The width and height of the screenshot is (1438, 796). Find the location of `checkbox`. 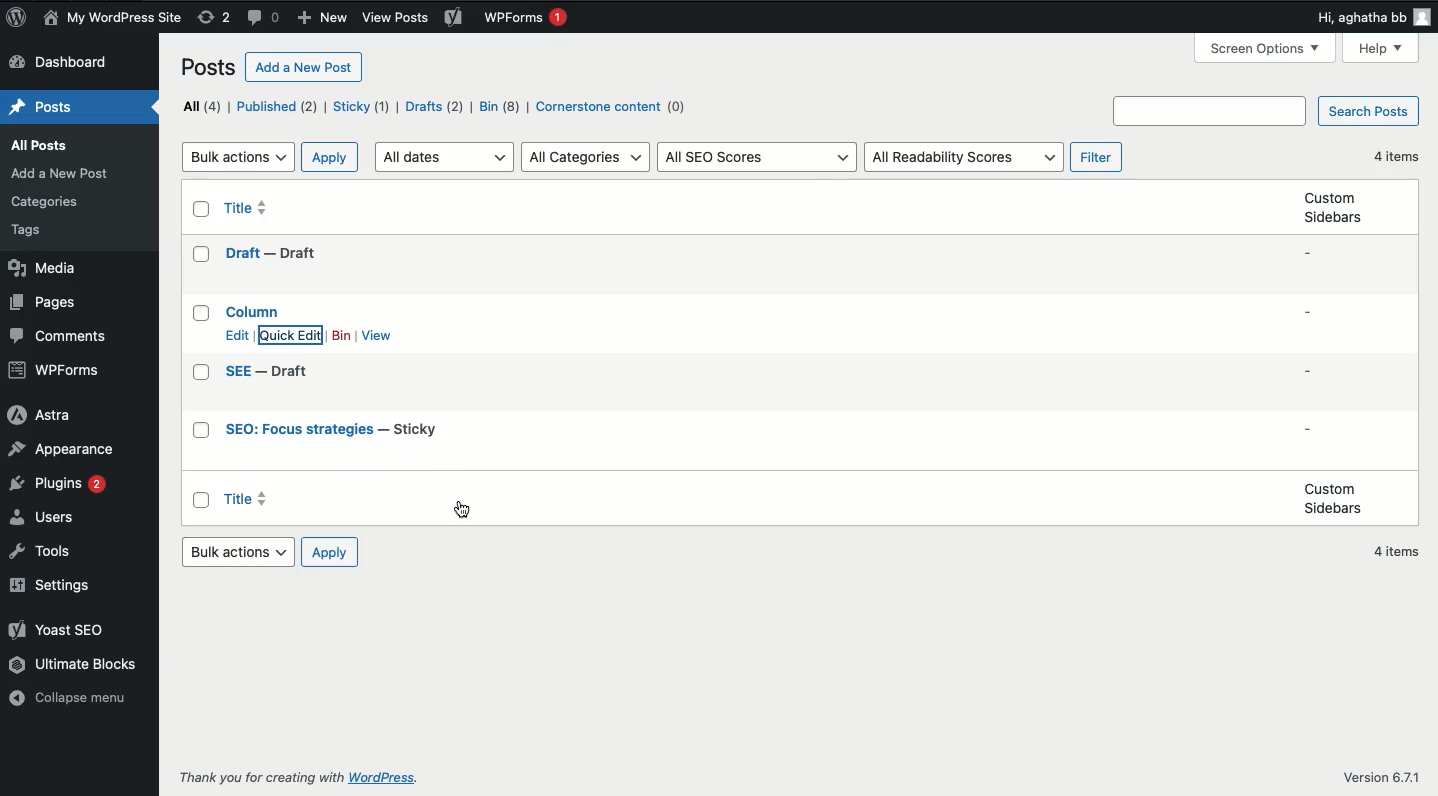

checkbox is located at coordinates (201, 499).